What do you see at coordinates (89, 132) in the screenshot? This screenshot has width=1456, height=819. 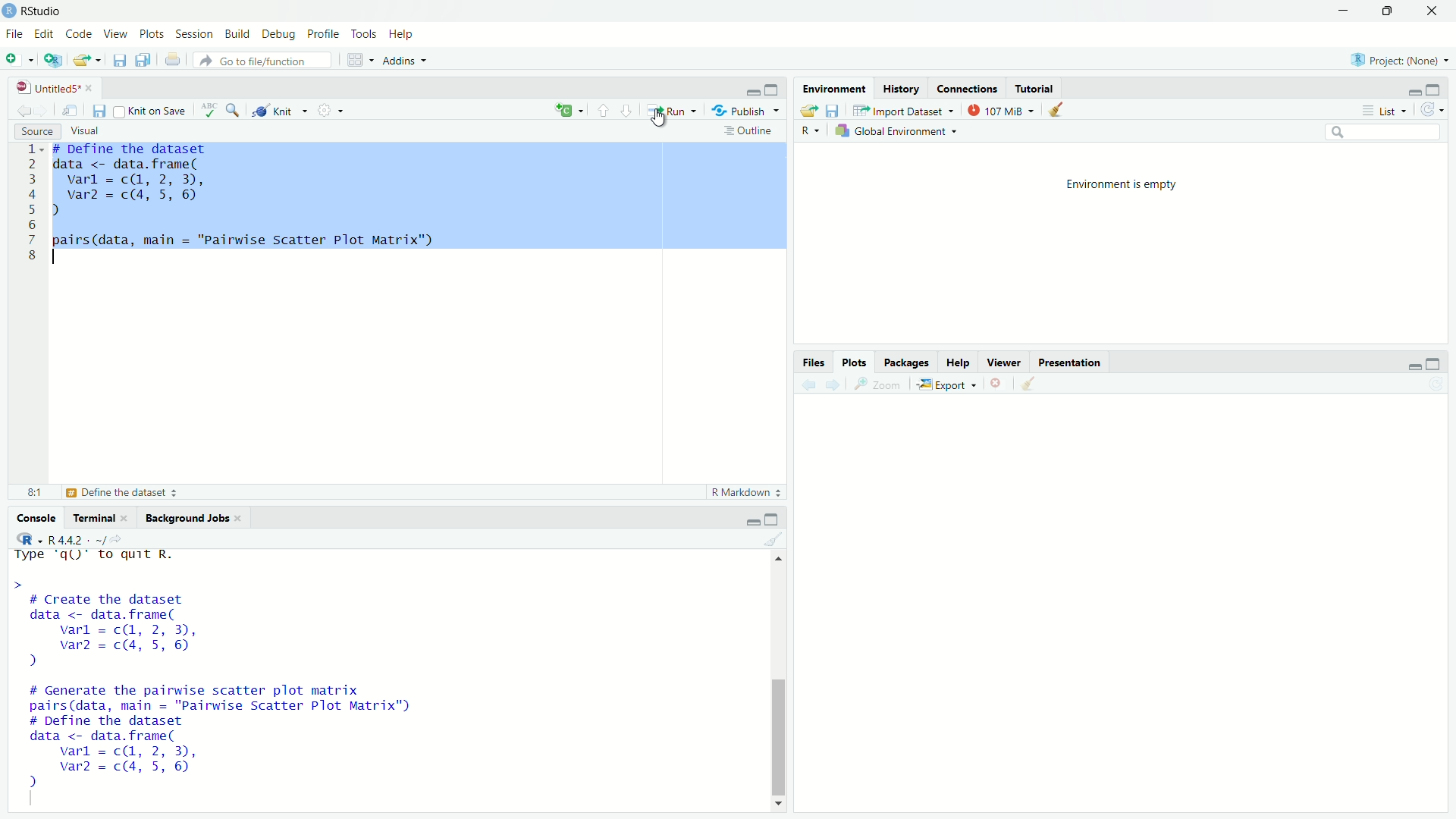 I see `Visual` at bounding box center [89, 132].